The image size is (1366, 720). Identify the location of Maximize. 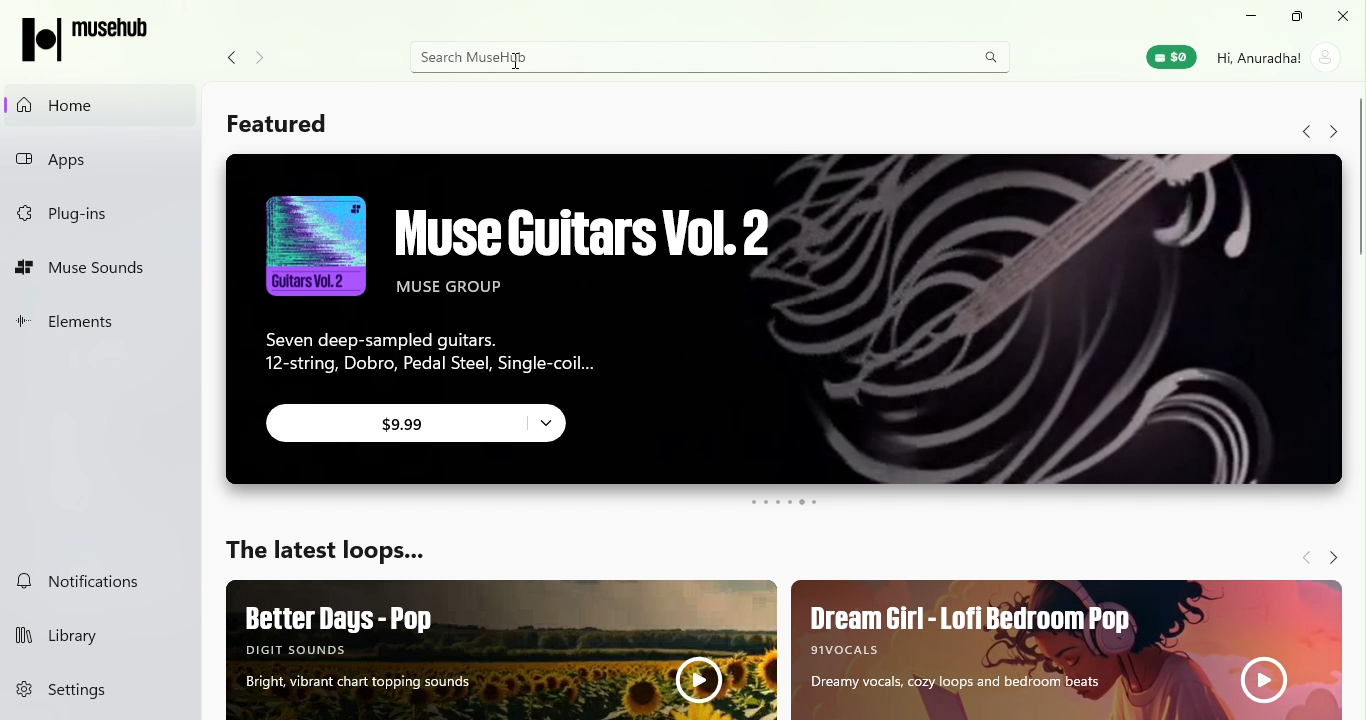
(1299, 17).